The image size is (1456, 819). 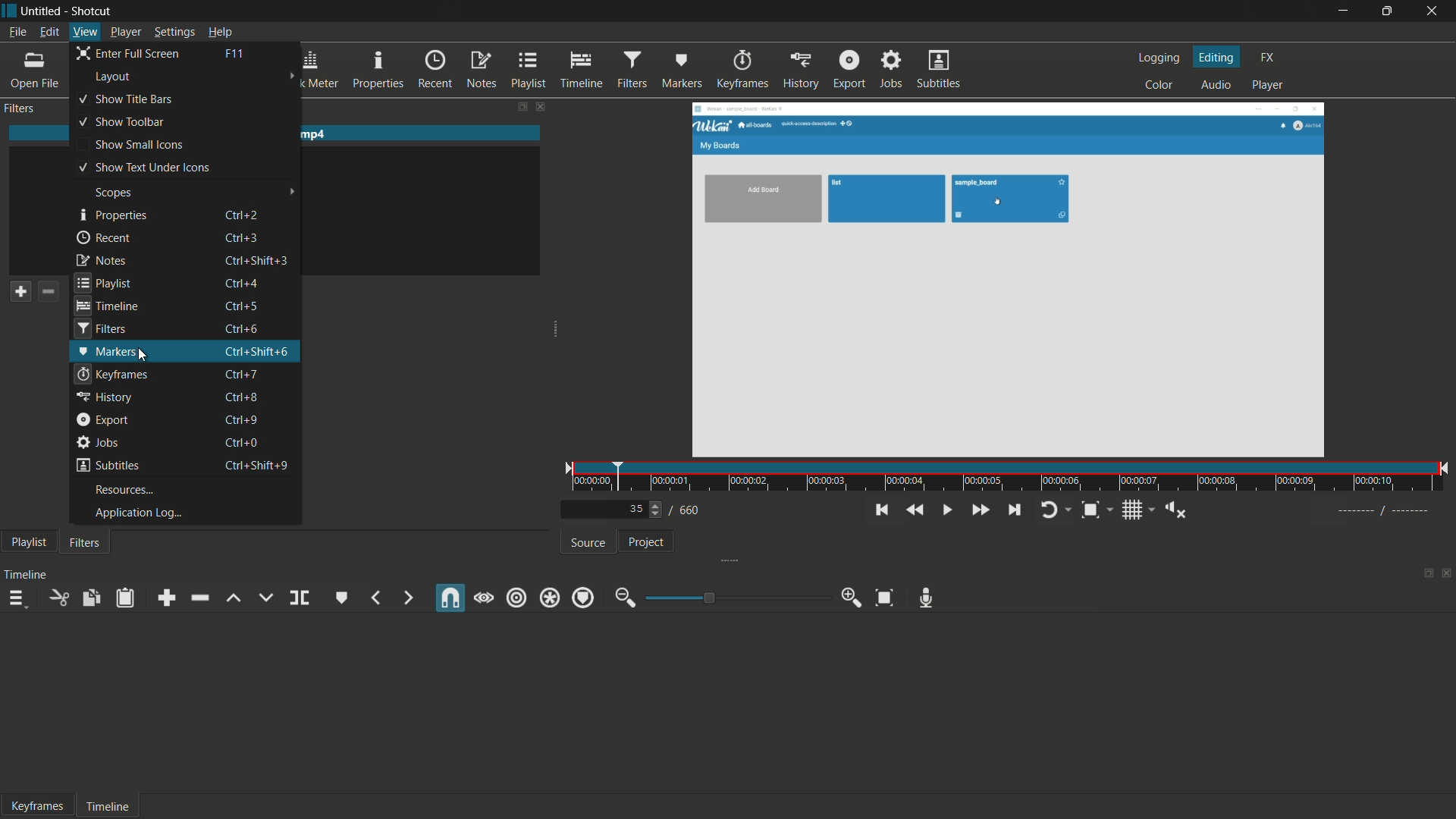 What do you see at coordinates (683, 71) in the screenshot?
I see `markers` at bounding box center [683, 71].